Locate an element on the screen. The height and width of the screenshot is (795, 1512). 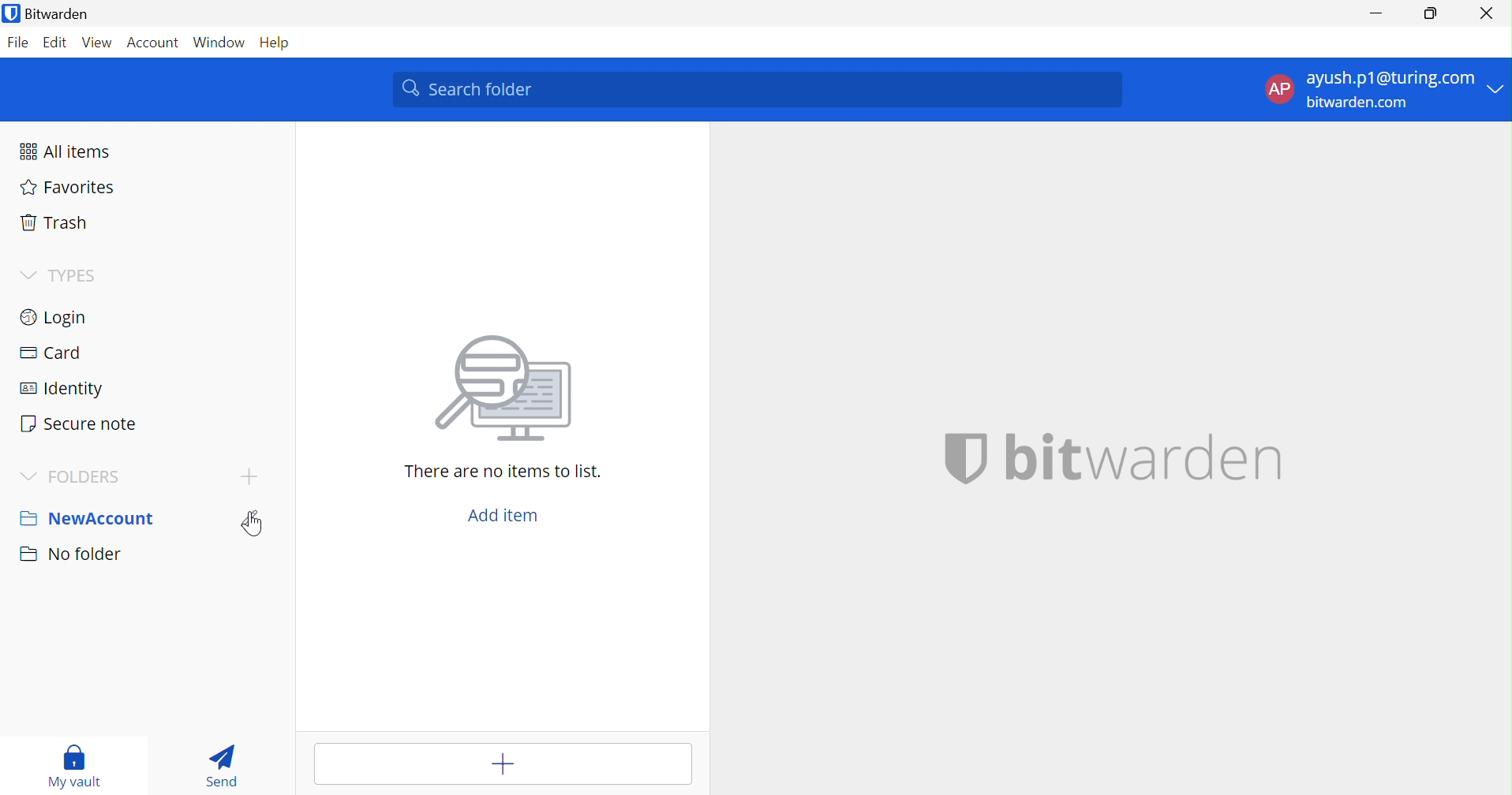
account options Drop Down is located at coordinates (1382, 93).